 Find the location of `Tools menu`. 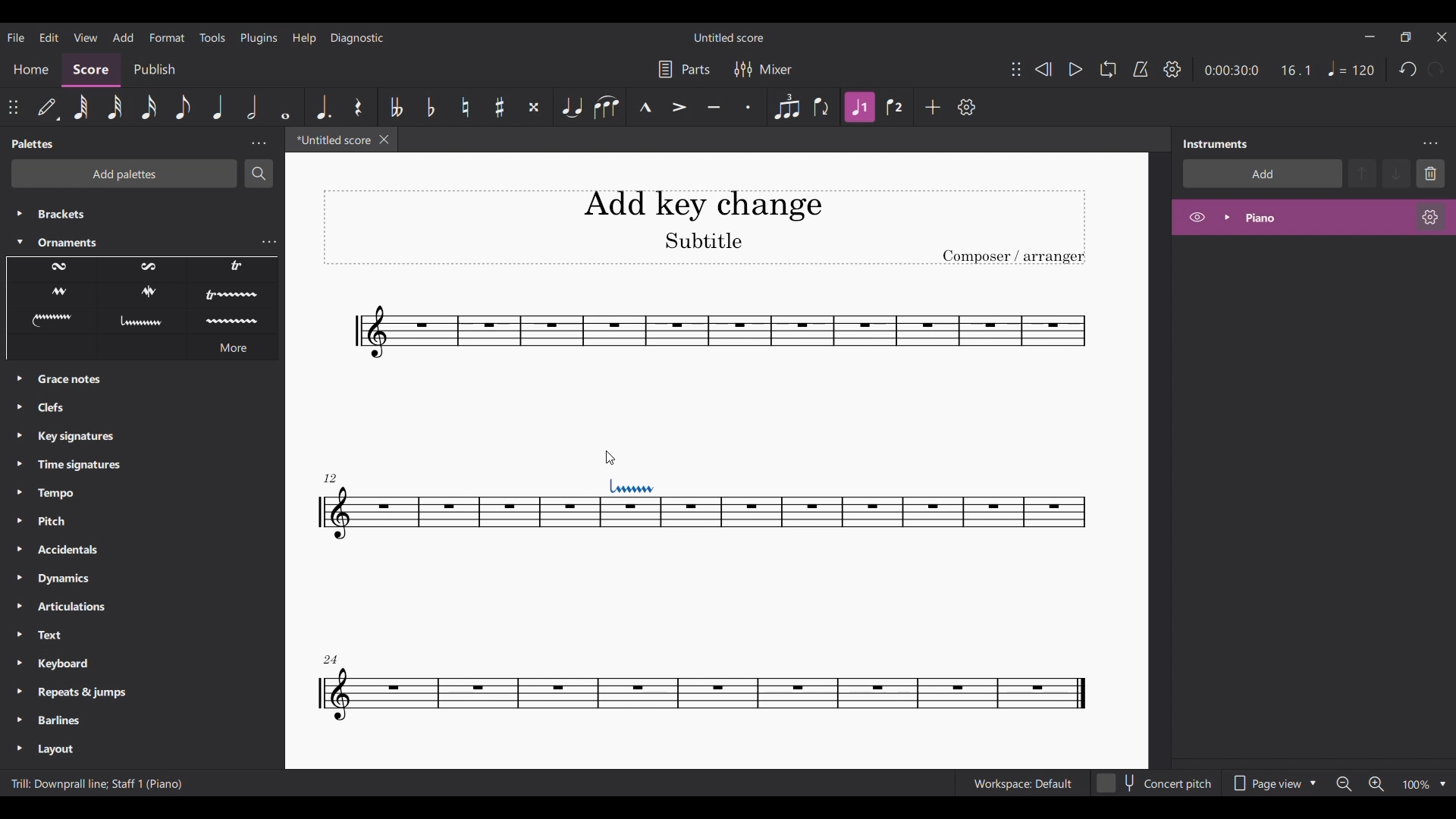

Tools menu is located at coordinates (212, 37).